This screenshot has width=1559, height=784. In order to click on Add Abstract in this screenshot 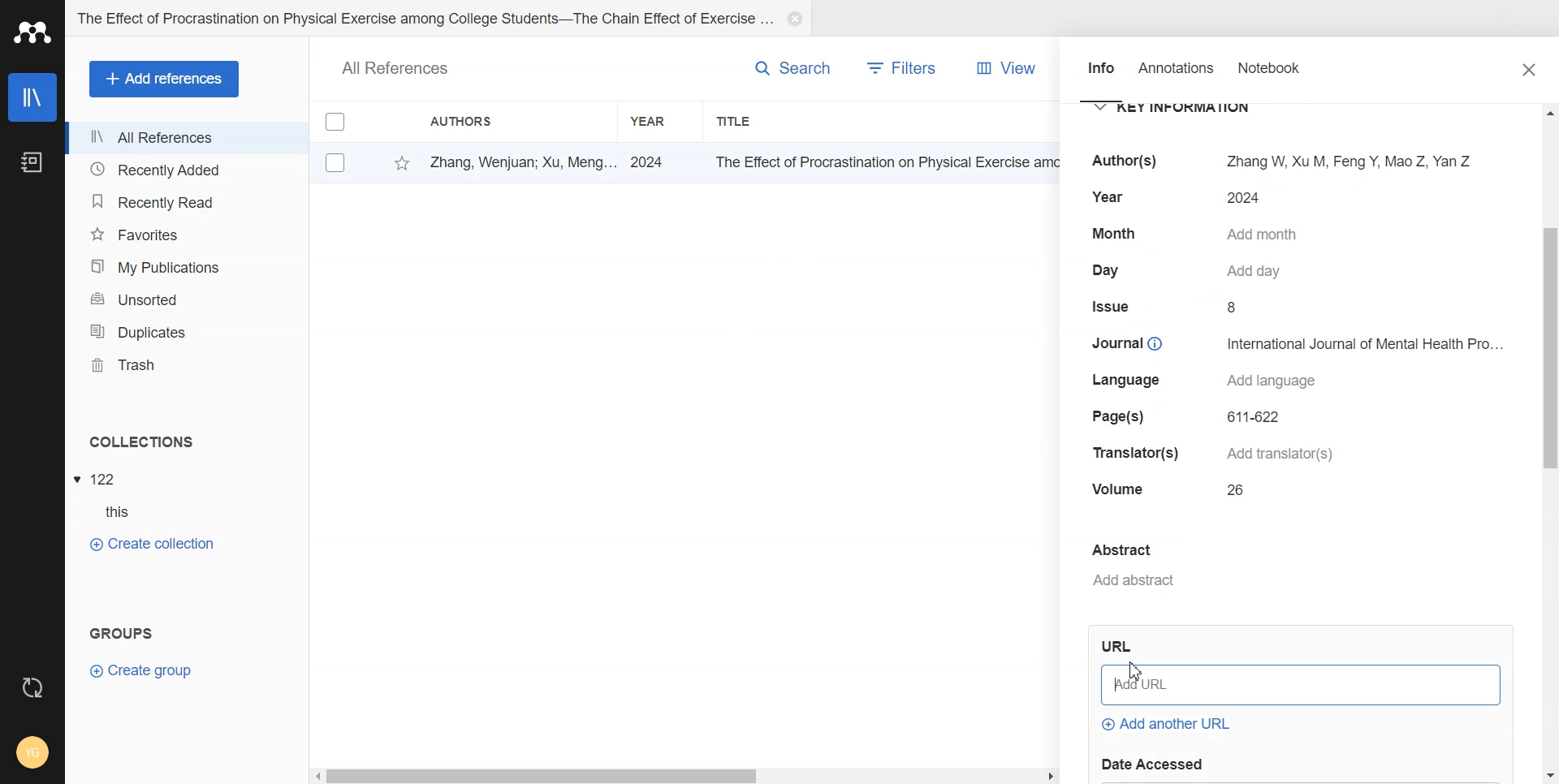, I will do `click(1268, 566)`.